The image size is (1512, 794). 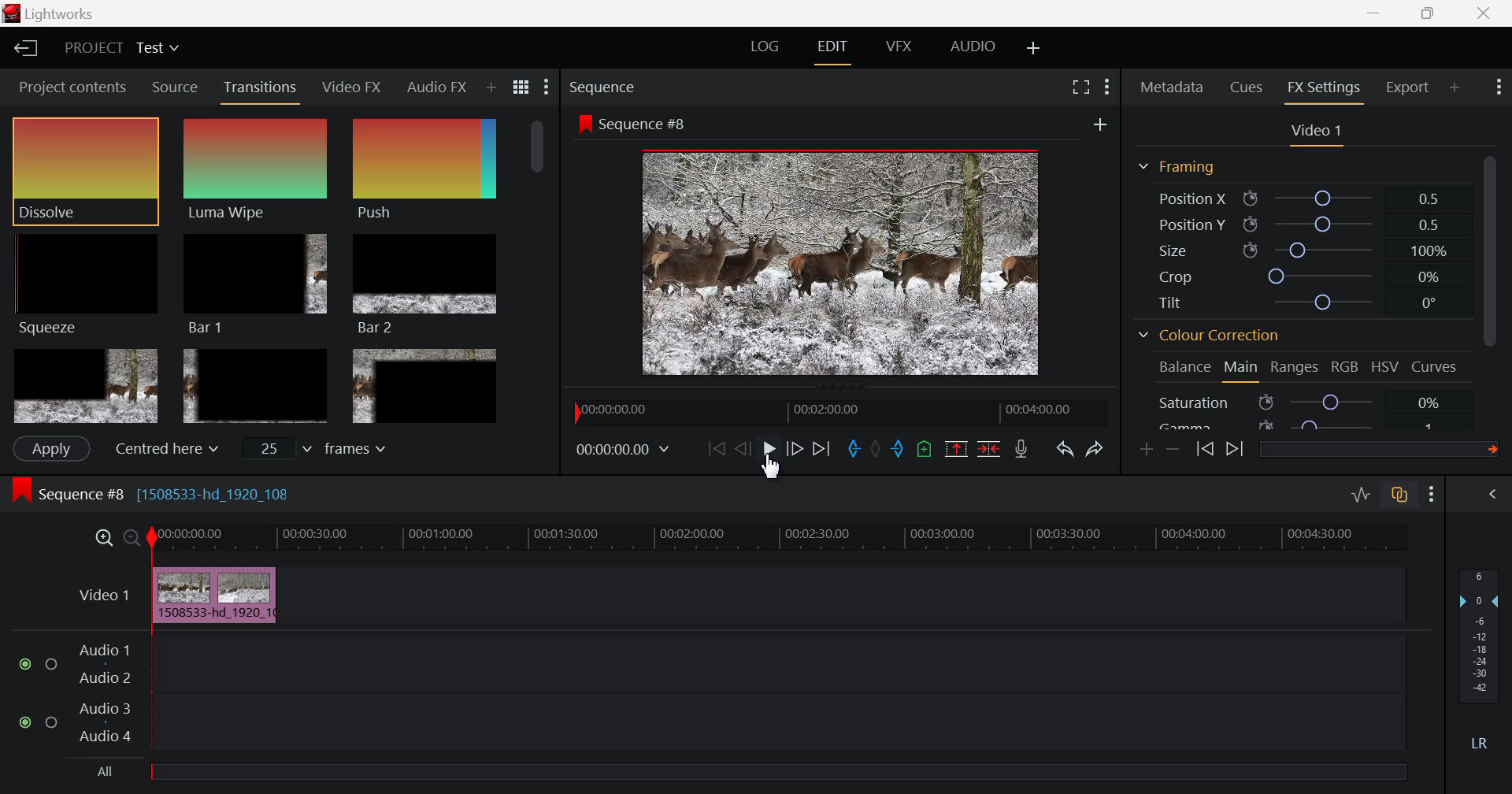 I want to click on Colour Correction Section, so click(x=1210, y=337).